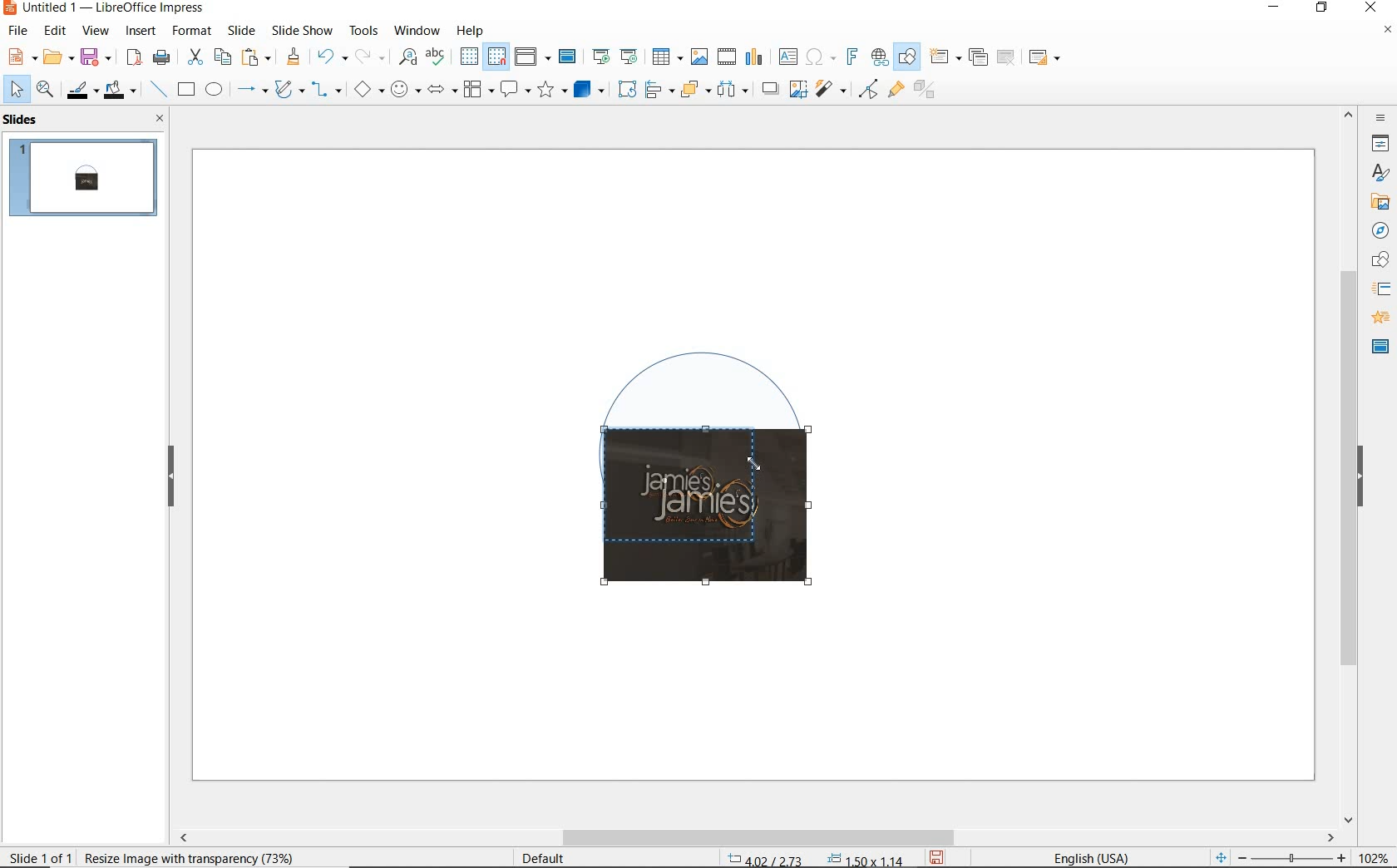  Describe the element at coordinates (868, 86) in the screenshot. I see `filter` at that location.